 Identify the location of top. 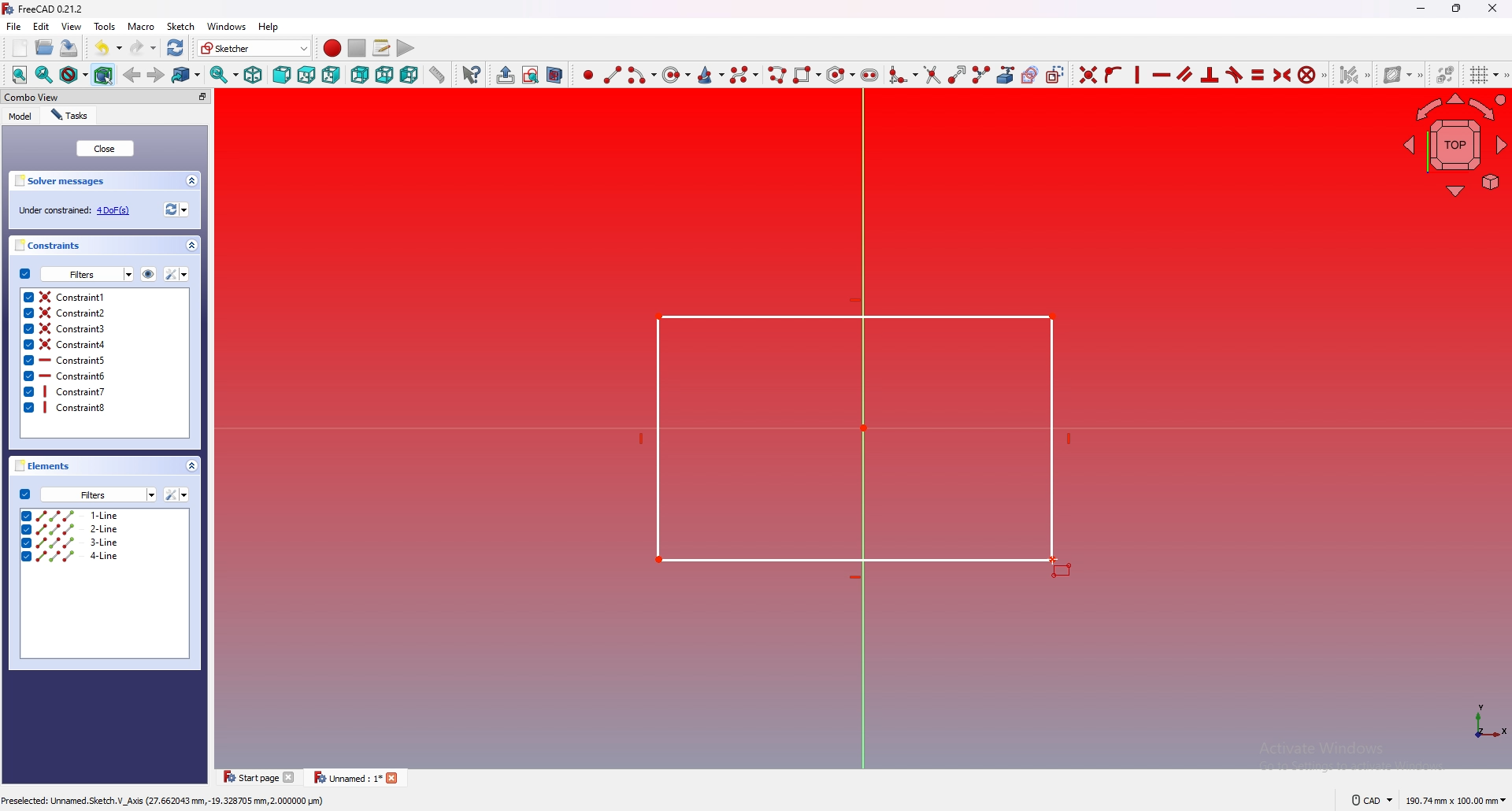
(306, 75).